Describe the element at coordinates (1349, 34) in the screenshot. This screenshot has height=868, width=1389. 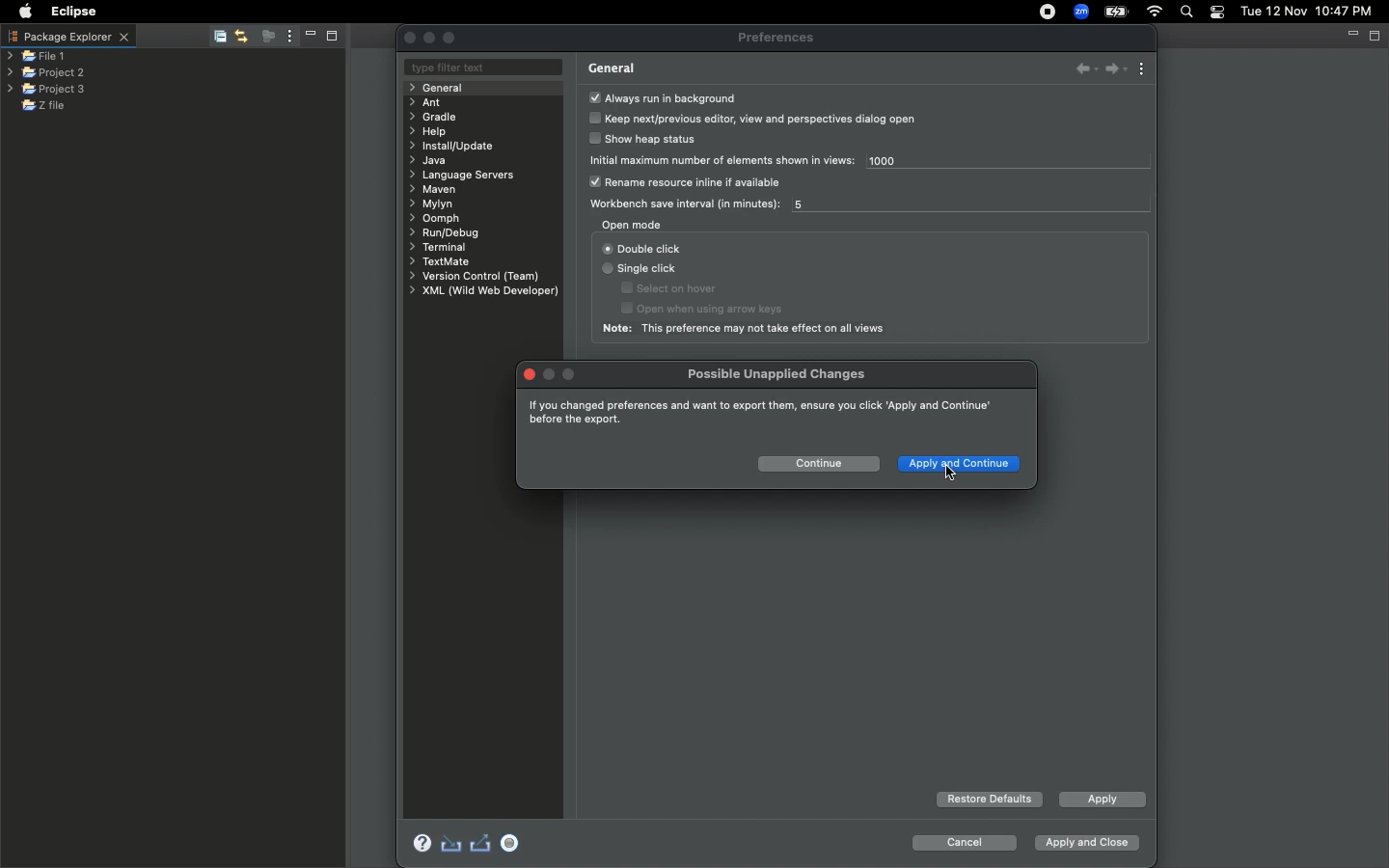
I see `Minimize` at that location.